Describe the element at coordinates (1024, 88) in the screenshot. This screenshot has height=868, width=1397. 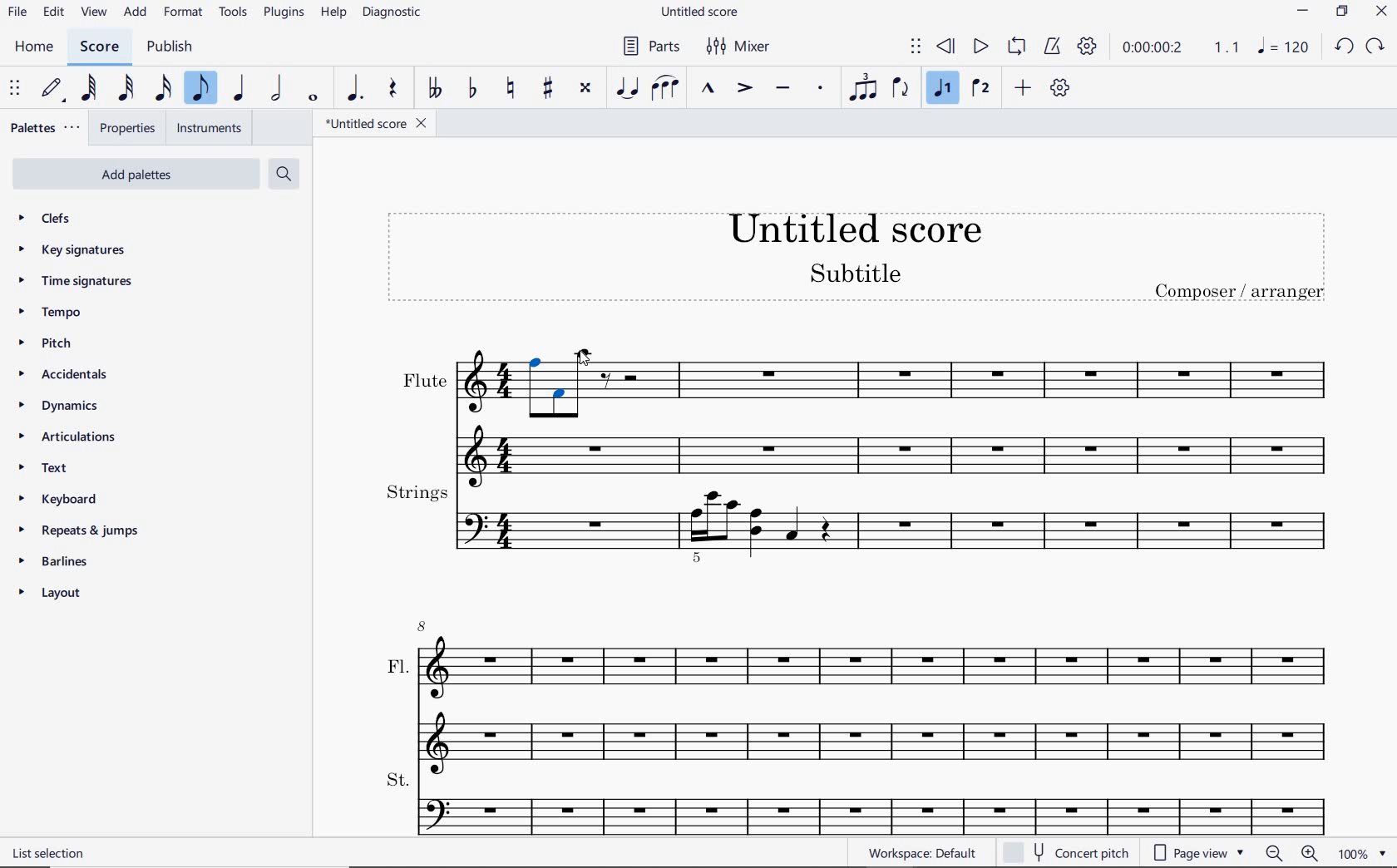
I see `ADD` at that location.